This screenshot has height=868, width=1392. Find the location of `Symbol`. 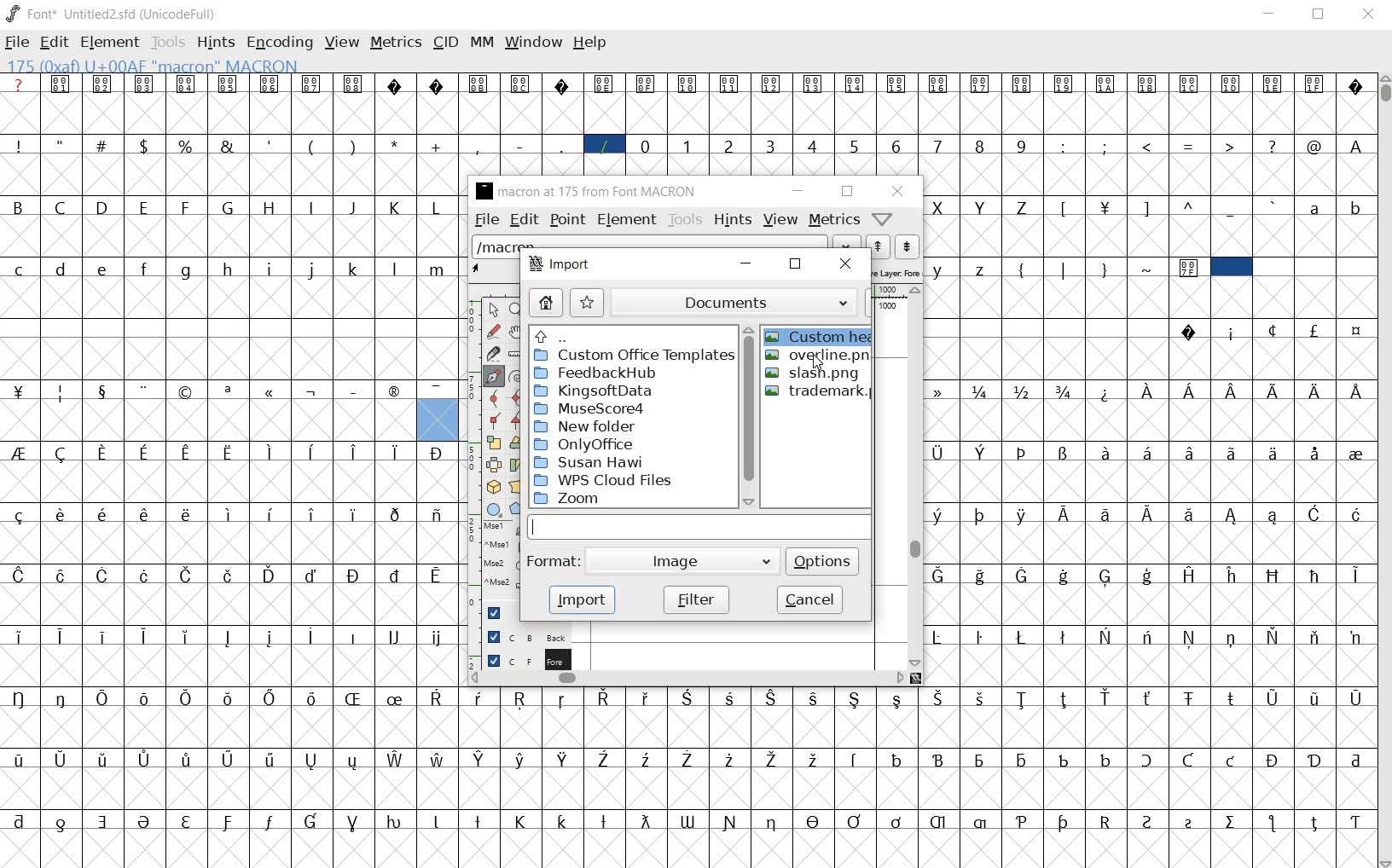

Symbol is located at coordinates (351, 84).